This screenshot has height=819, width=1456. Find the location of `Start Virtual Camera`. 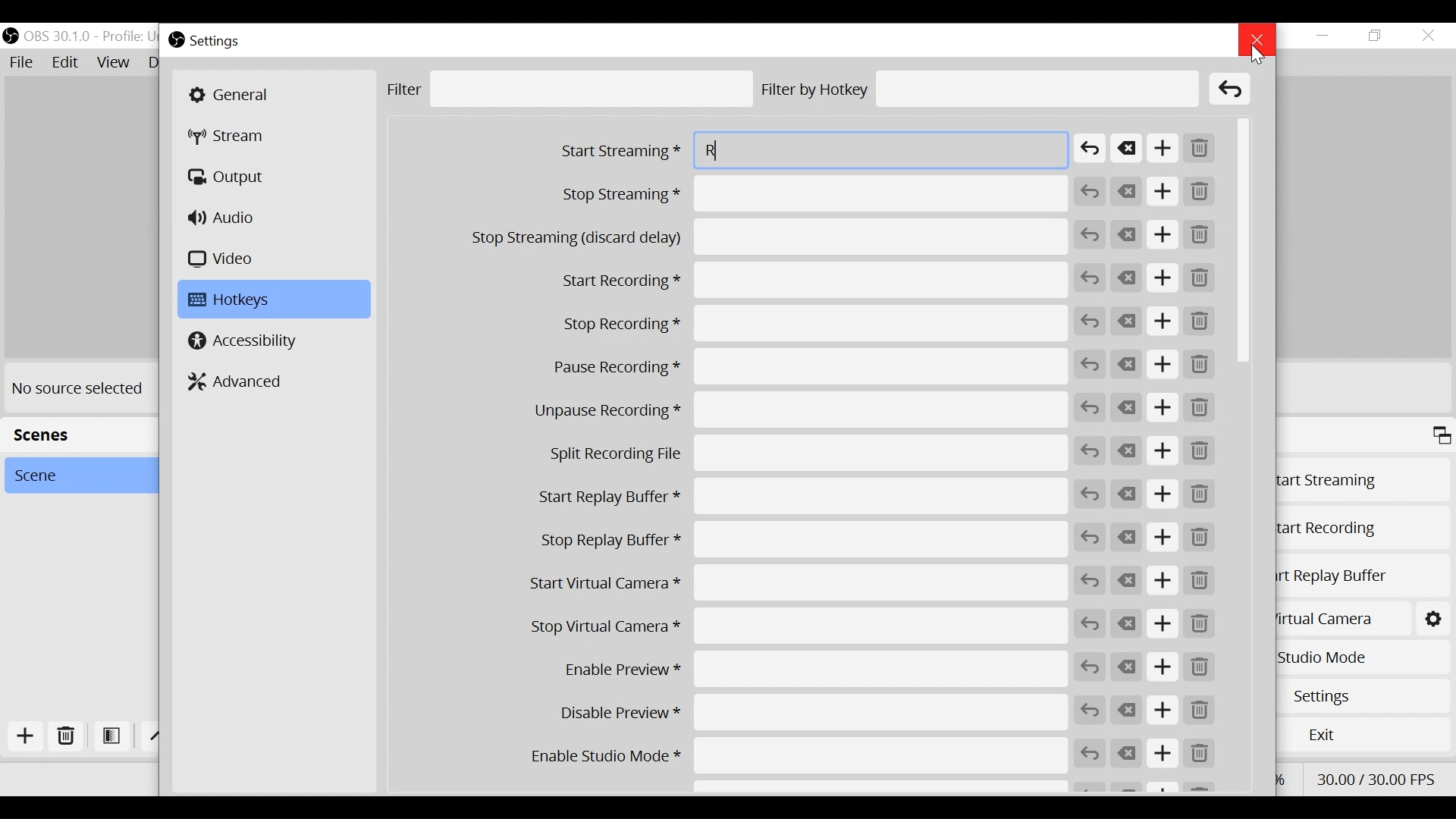

Start Virtual Camera is located at coordinates (799, 582).